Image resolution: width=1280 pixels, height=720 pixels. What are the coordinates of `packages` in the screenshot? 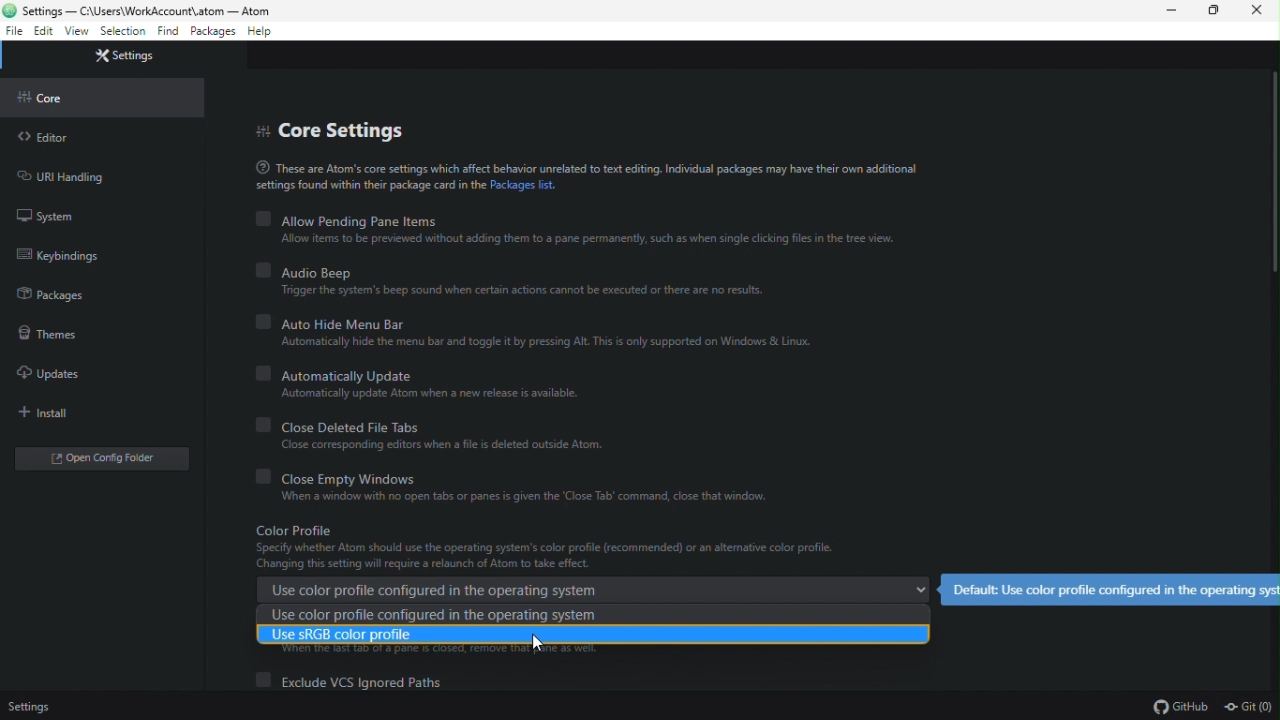 It's located at (212, 32).